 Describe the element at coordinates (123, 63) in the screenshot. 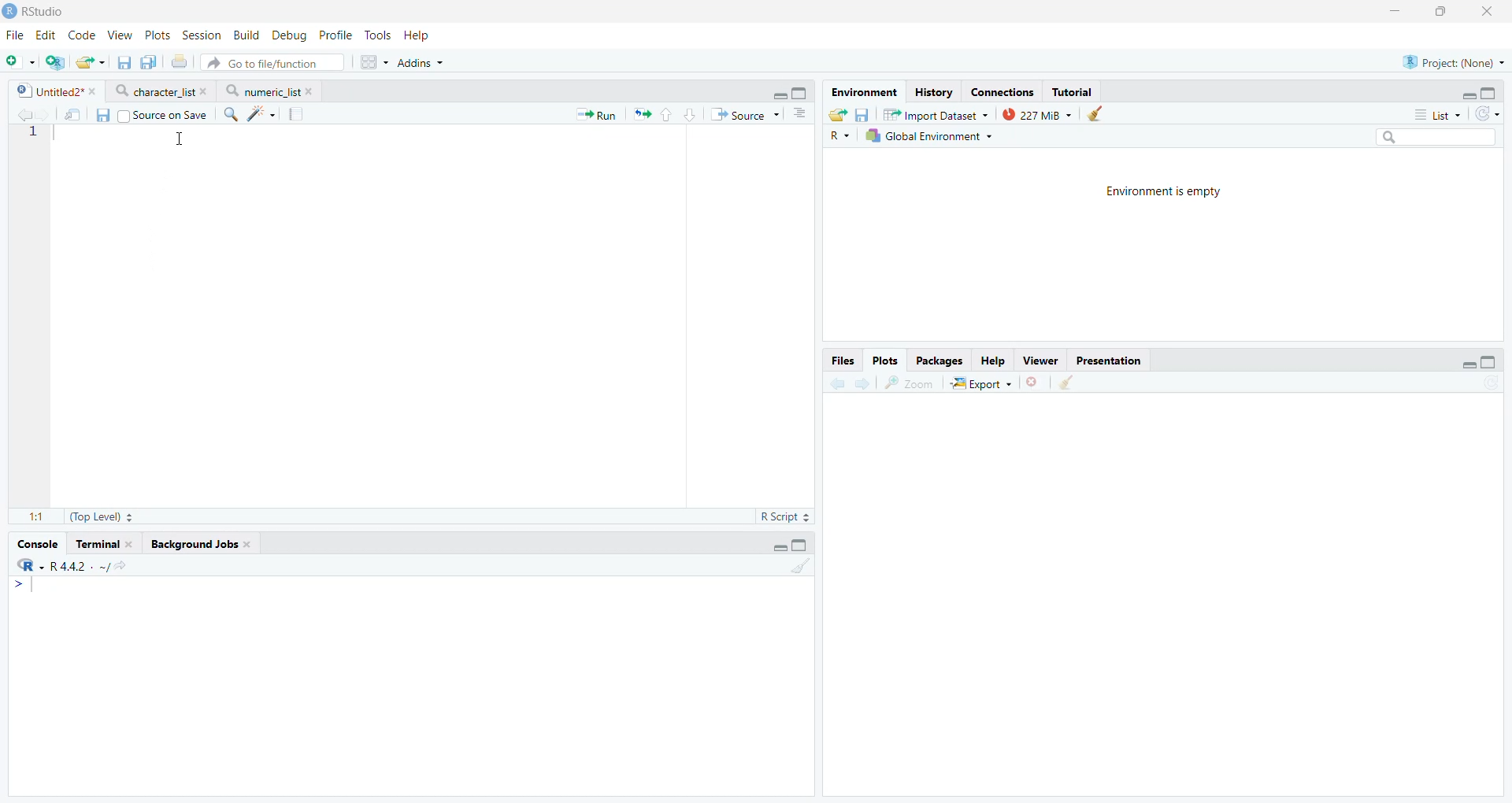

I see `Save current file` at that location.